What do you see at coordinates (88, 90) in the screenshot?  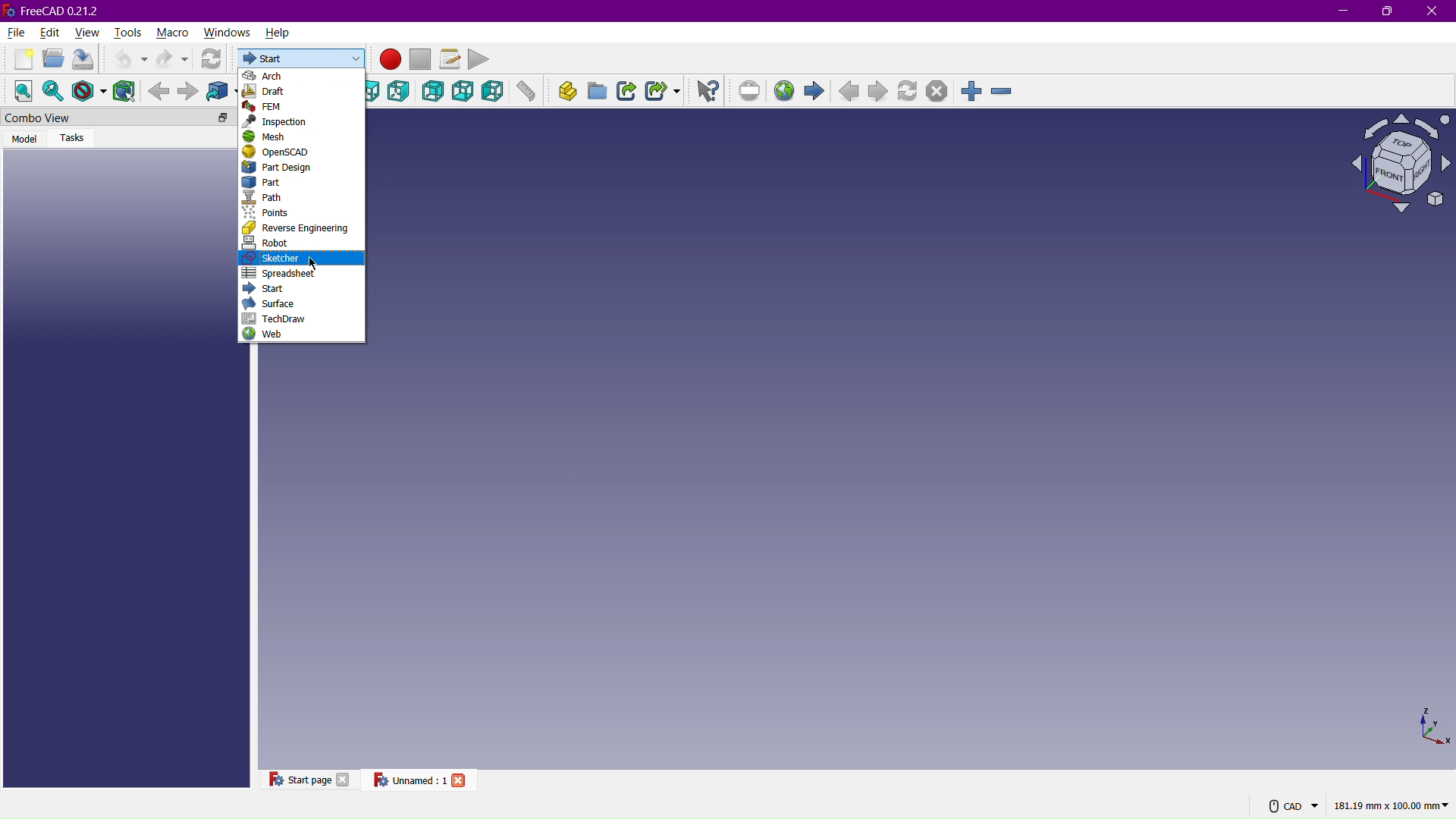 I see `Change the draw style` at bounding box center [88, 90].